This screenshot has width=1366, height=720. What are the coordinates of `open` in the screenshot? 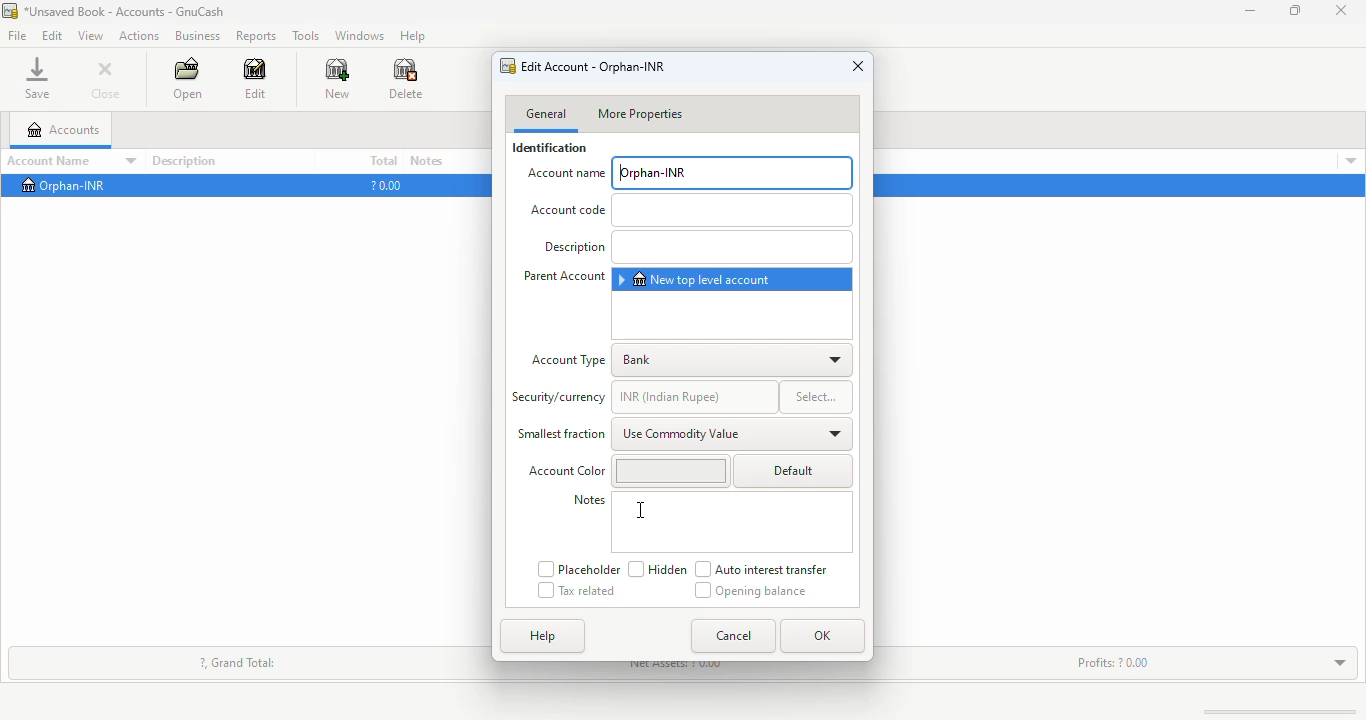 It's located at (188, 79).